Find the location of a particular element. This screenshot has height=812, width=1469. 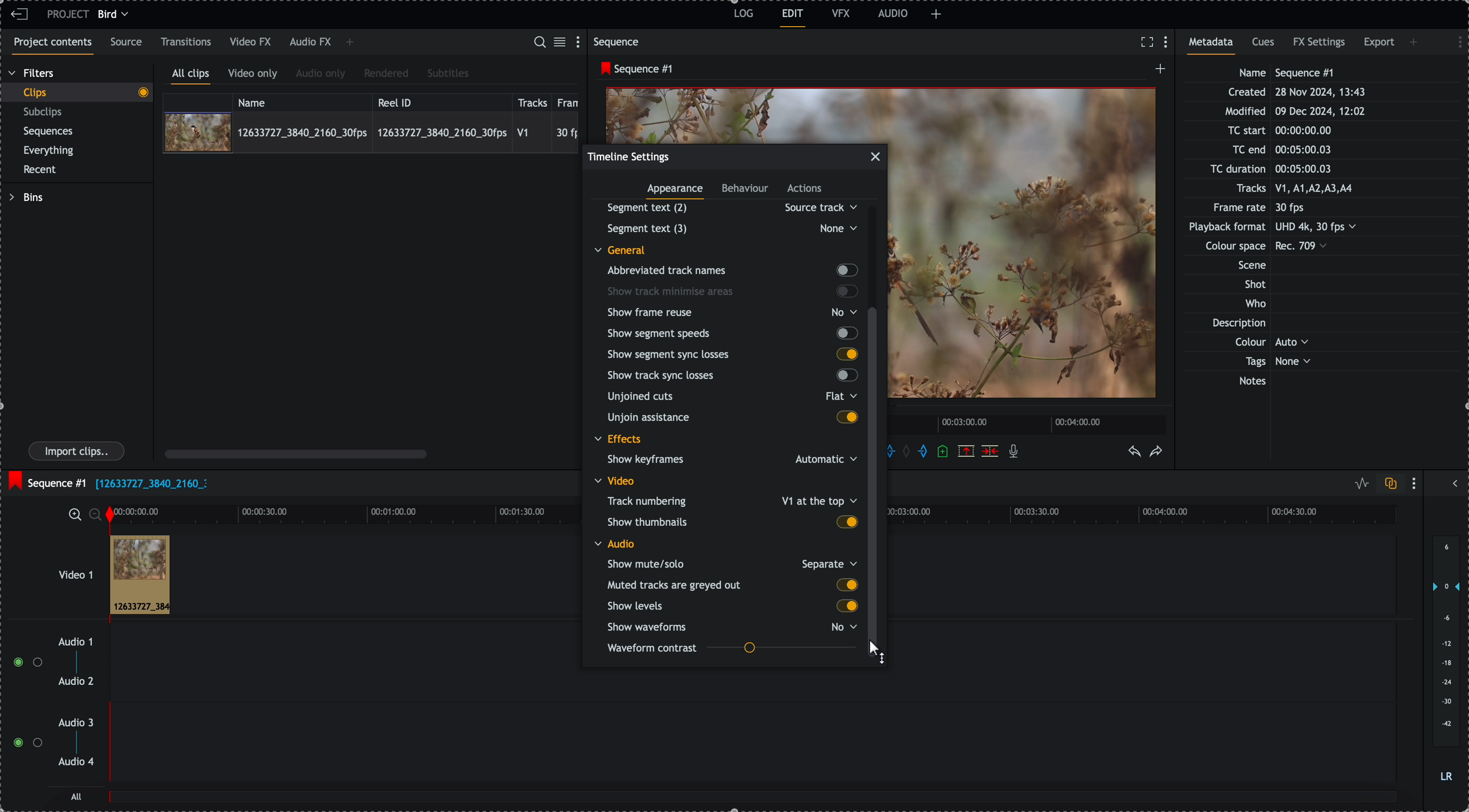

effects is located at coordinates (619, 440).